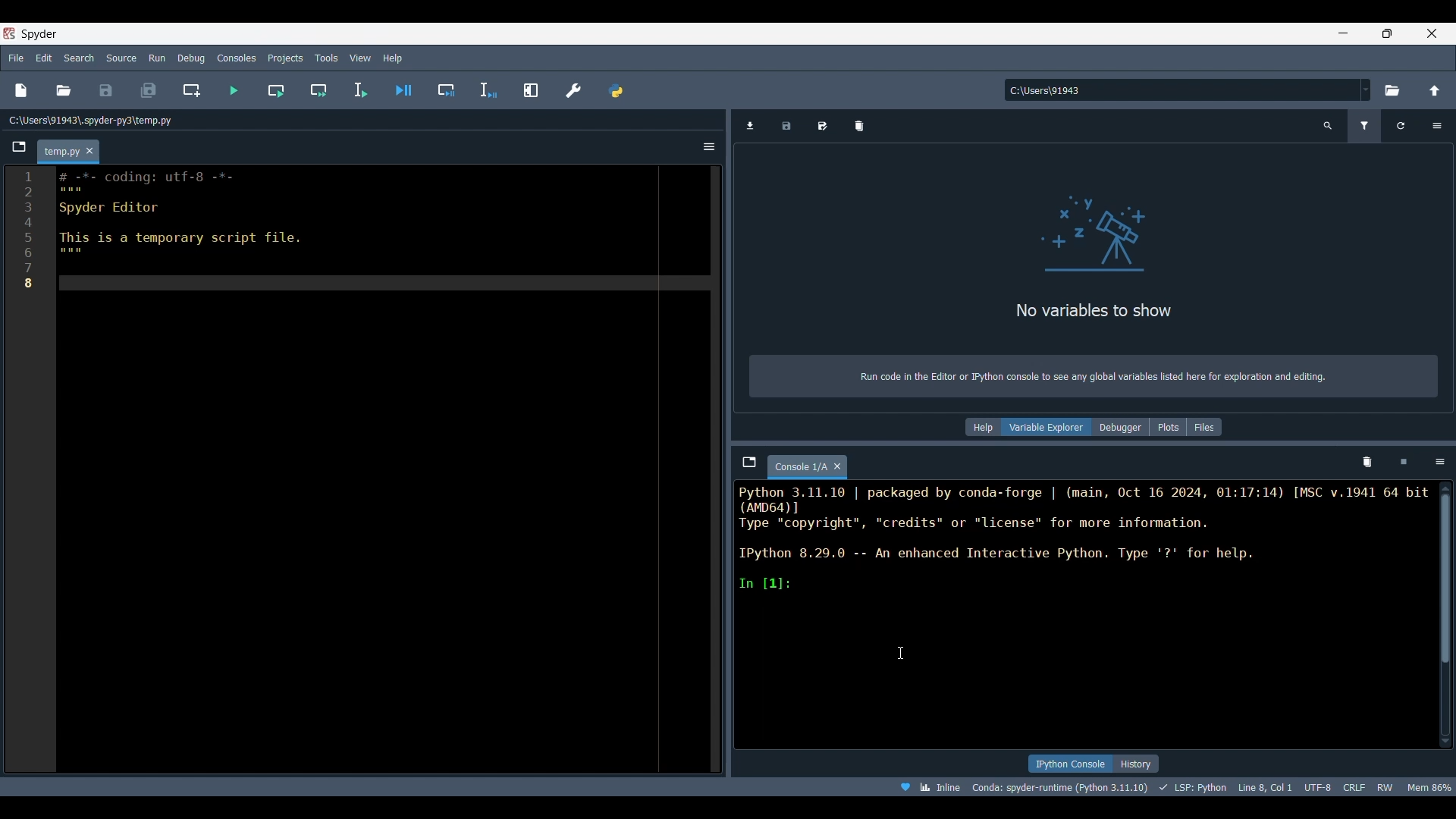  What do you see at coordinates (1366, 126) in the screenshot?
I see `Filter variables, current selection` at bounding box center [1366, 126].